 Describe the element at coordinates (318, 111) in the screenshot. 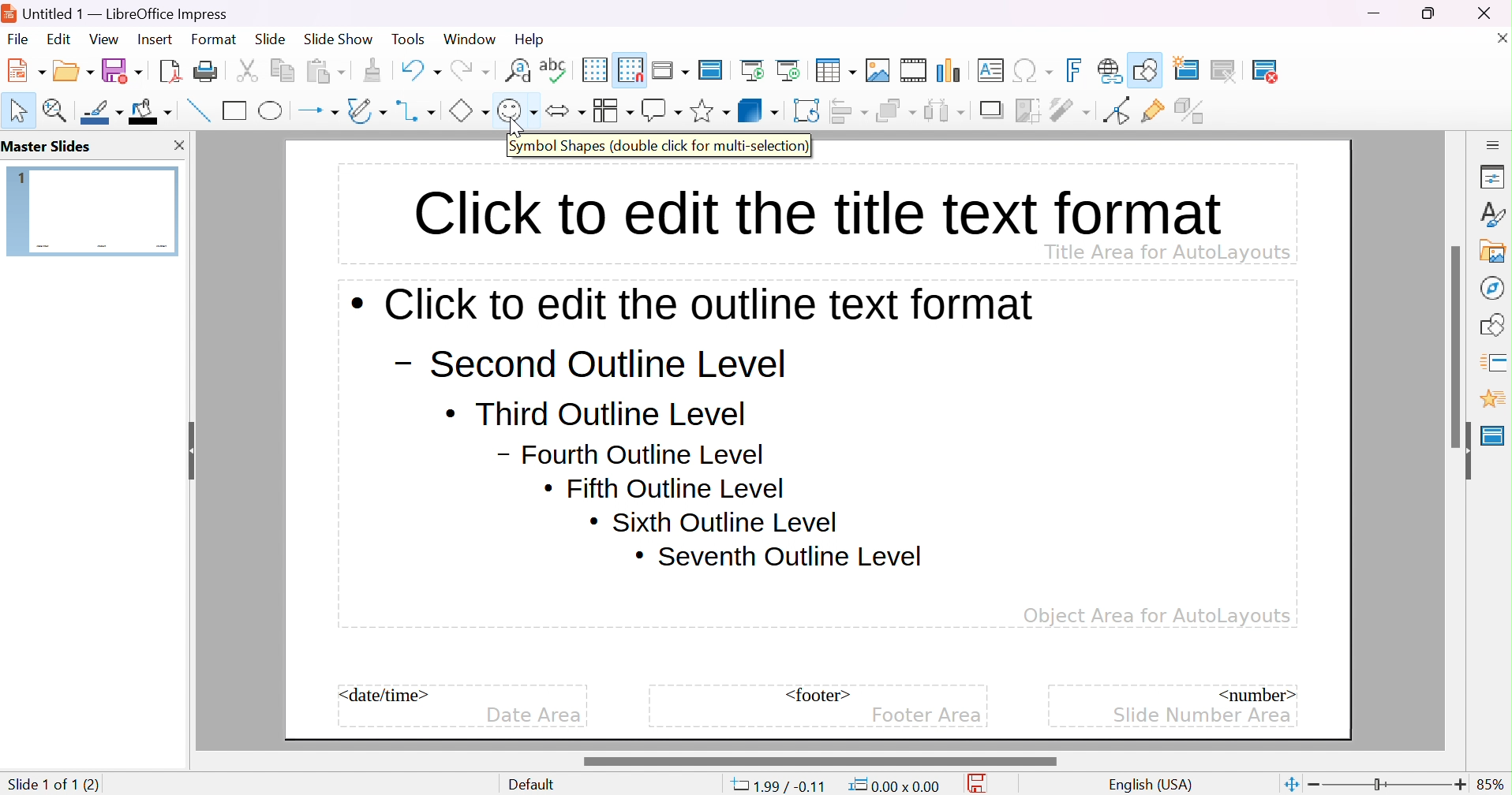

I see `lines and arrows` at that location.